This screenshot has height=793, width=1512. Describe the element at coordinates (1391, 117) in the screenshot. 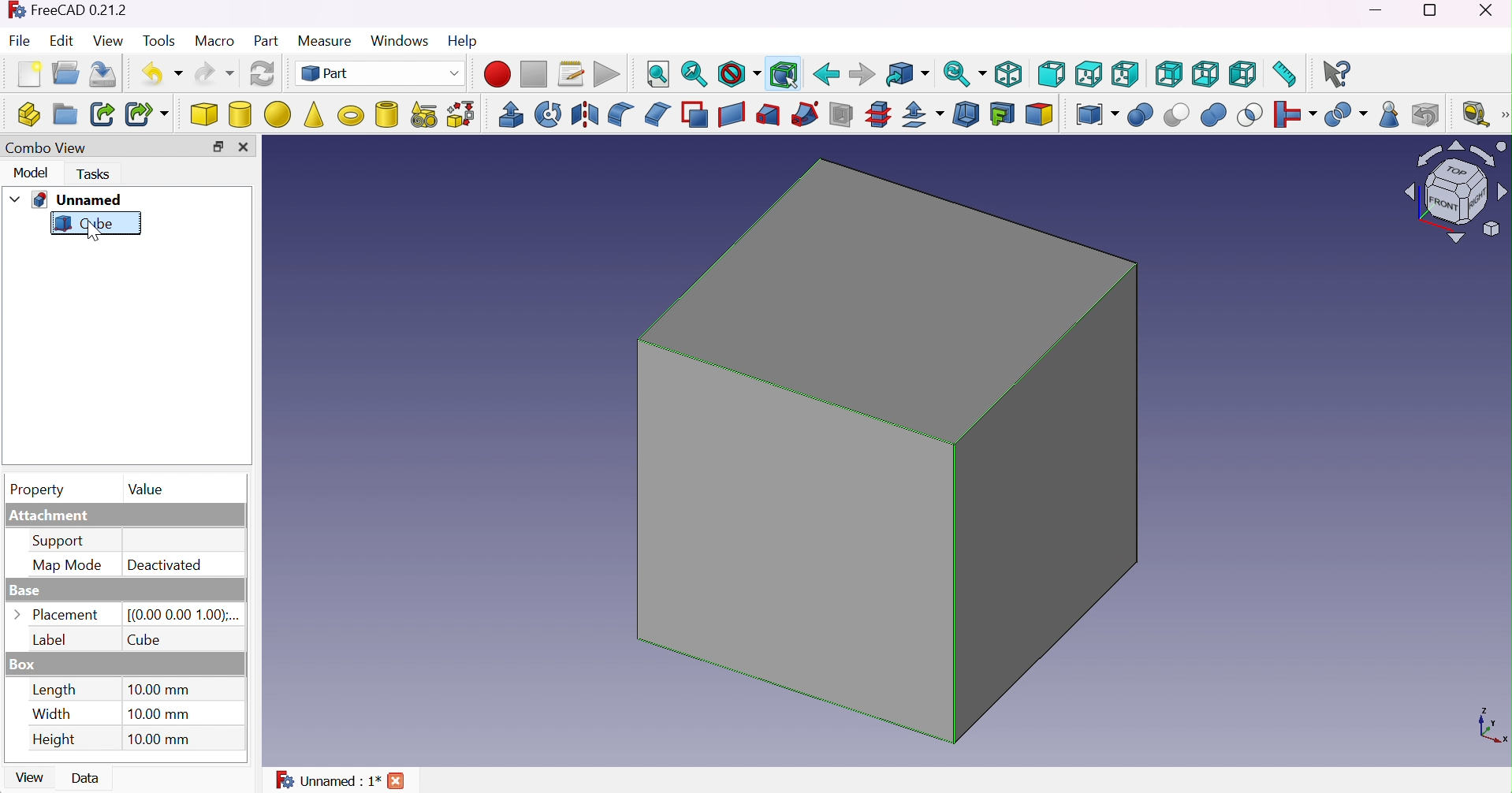

I see `Geometry` at that location.